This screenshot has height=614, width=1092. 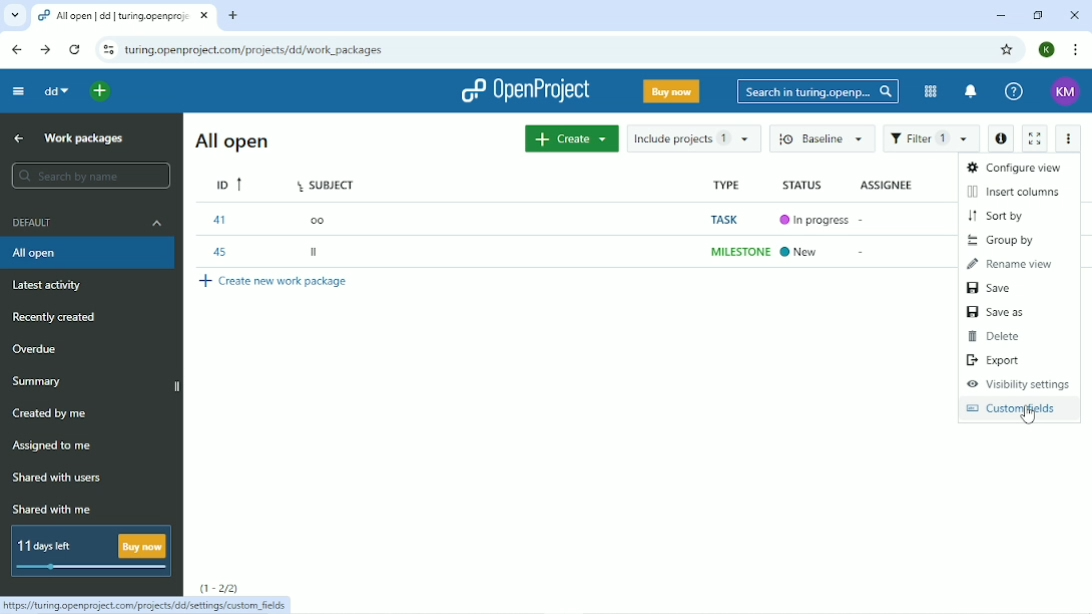 What do you see at coordinates (999, 216) in the screenshot?
I see `Sort by` at bounding box center [999, 216].